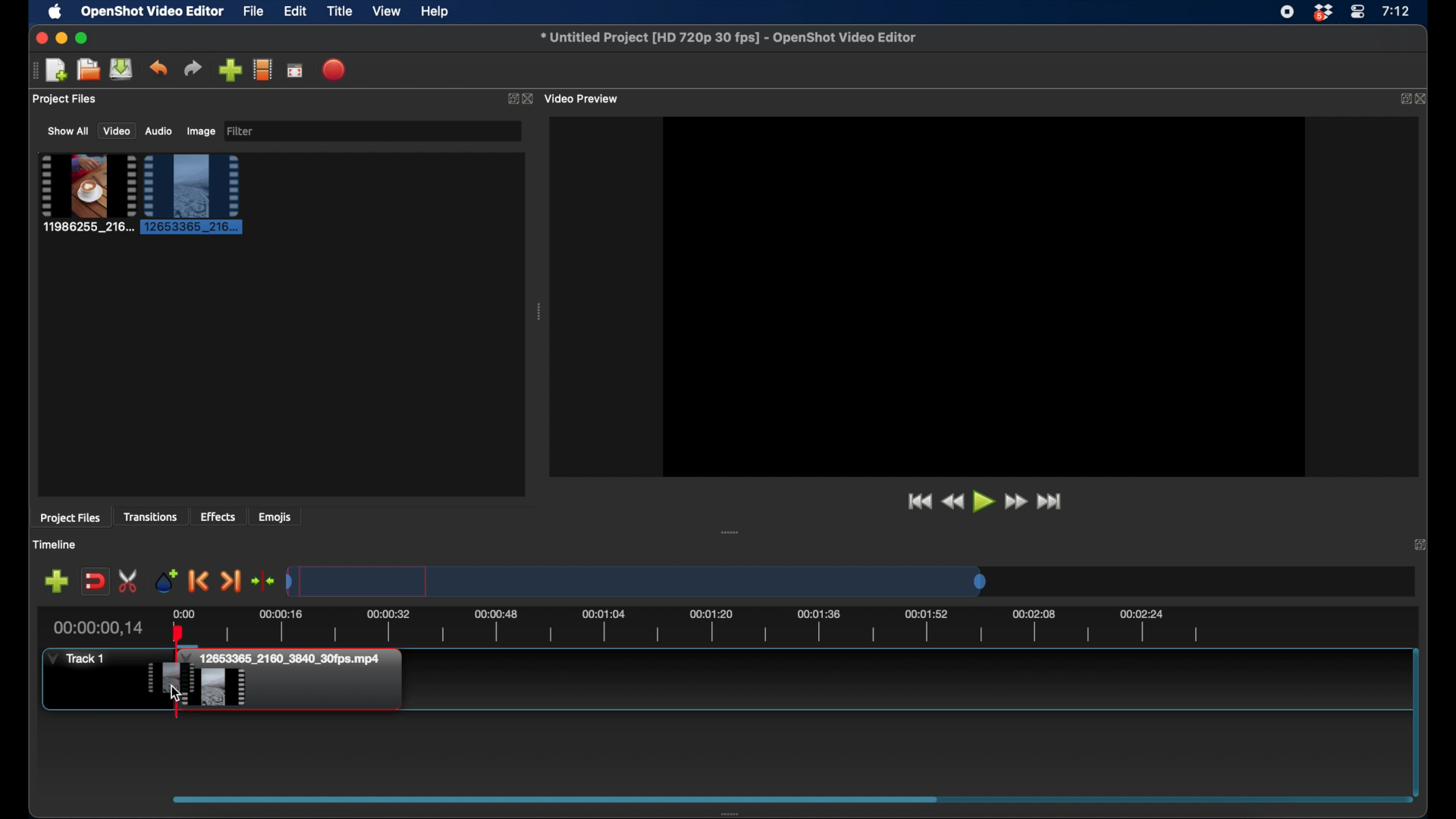 This screenshot has height=819, width=1456. I want to click on undo, so click(158, 68).